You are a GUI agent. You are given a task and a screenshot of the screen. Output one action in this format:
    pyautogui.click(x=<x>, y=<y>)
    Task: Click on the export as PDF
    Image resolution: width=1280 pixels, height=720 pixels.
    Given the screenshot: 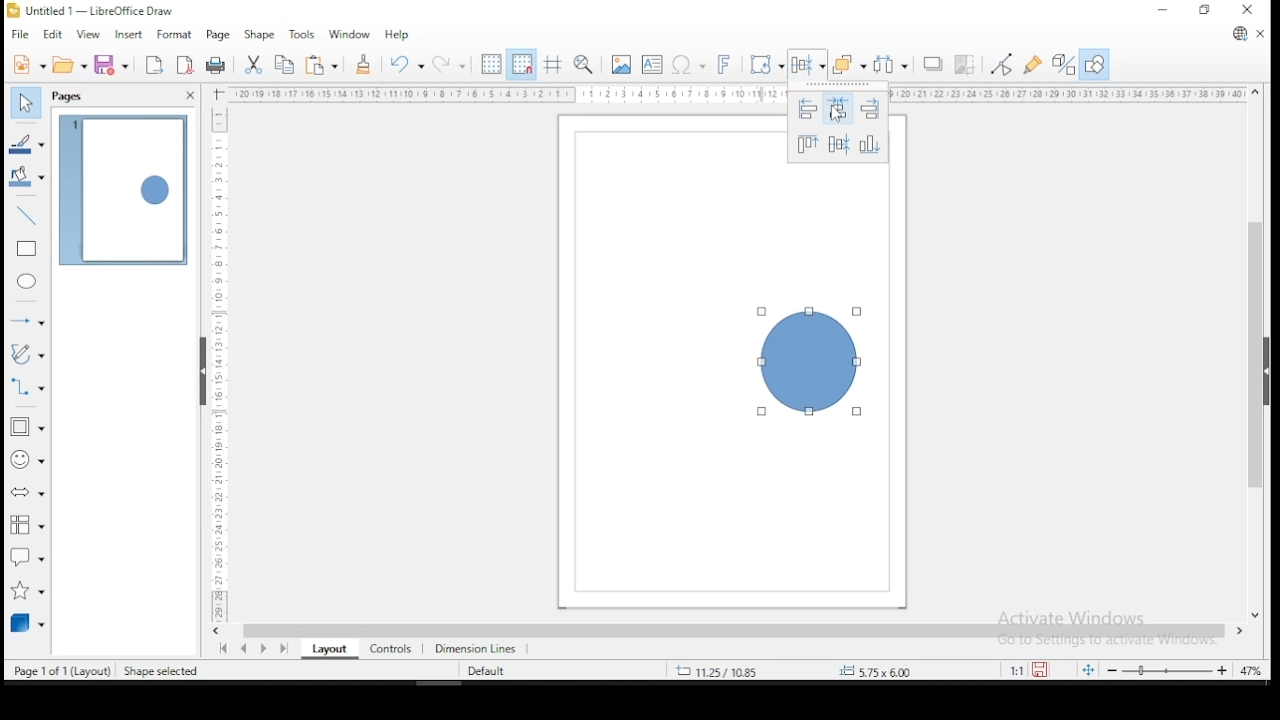 What is the action you would take?
    pyautogui.click(x=186, y=63)
    